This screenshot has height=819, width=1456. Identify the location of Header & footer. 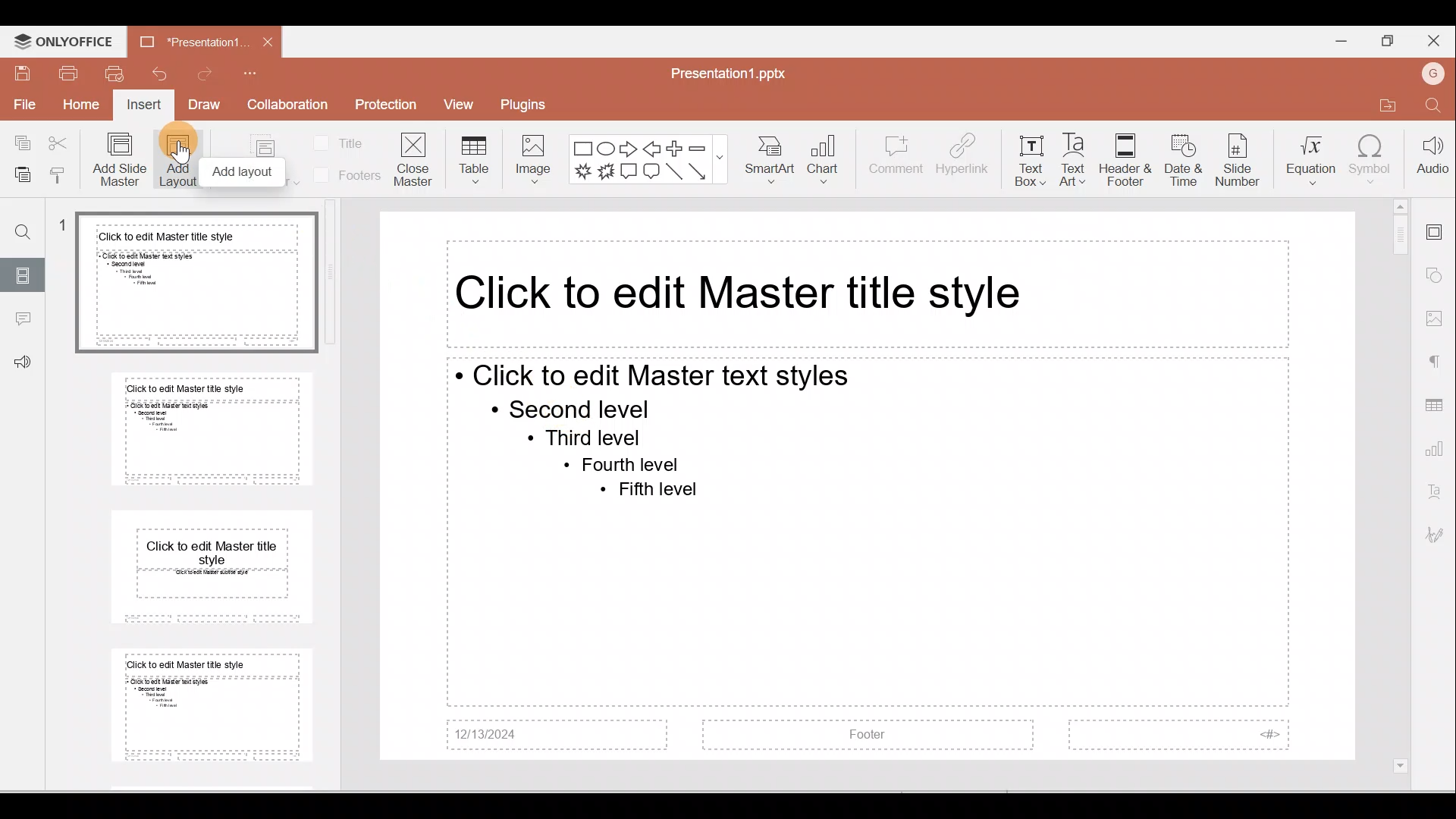
(1124, 159).